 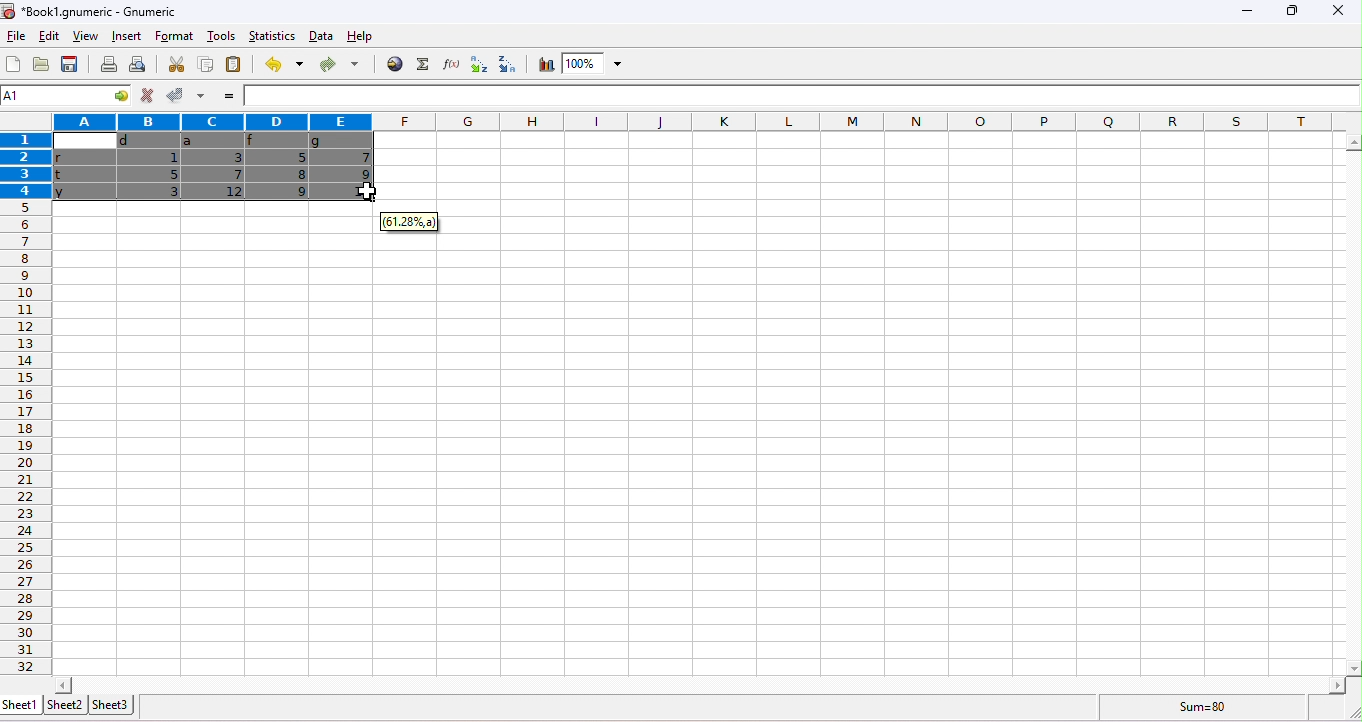 What do you see at coordinates (803, 95) in the screenshot?
I see `formula bar` at bounding box center [803, 95].